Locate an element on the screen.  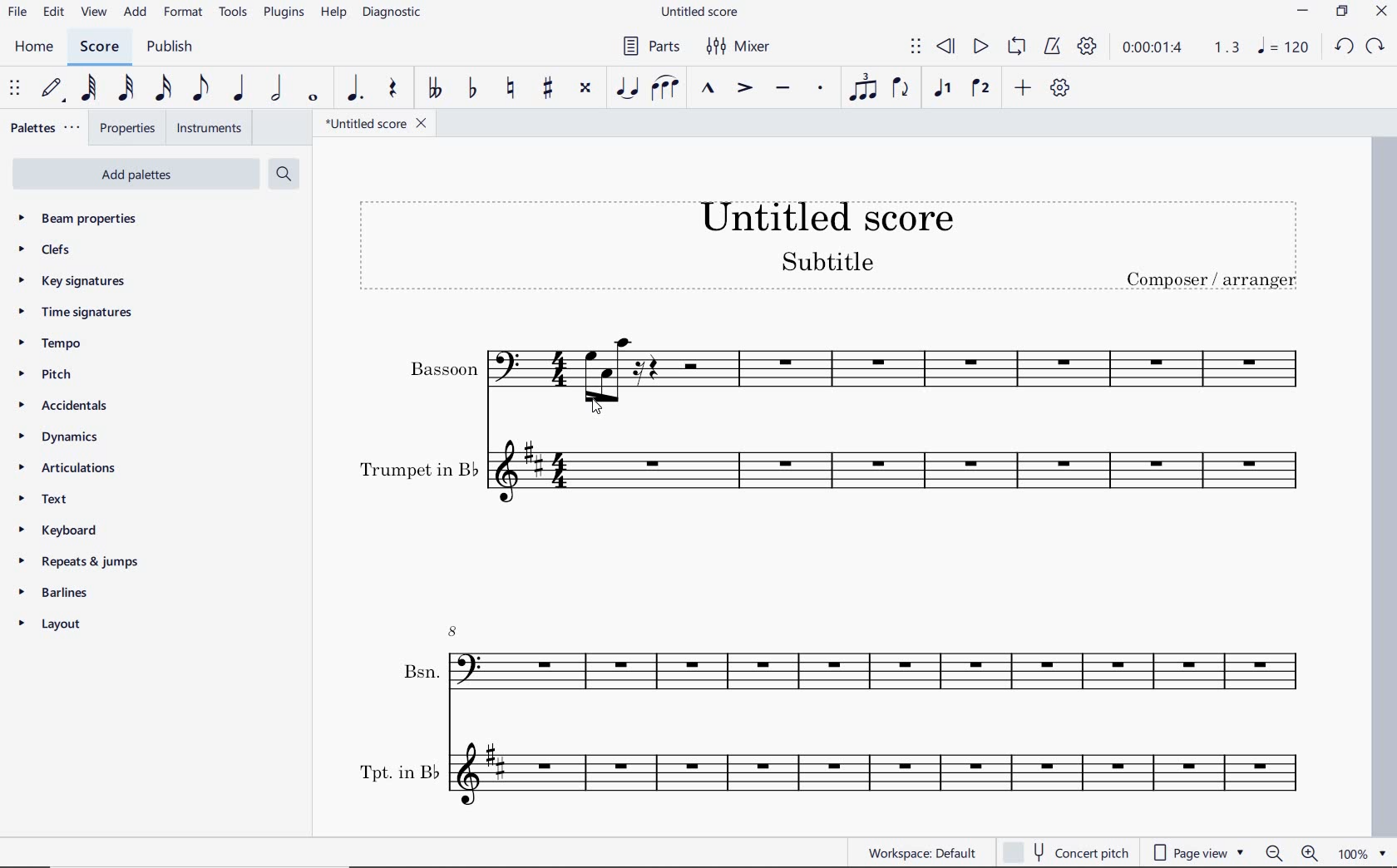
concert pitch is located at coordinates (1063, 851).